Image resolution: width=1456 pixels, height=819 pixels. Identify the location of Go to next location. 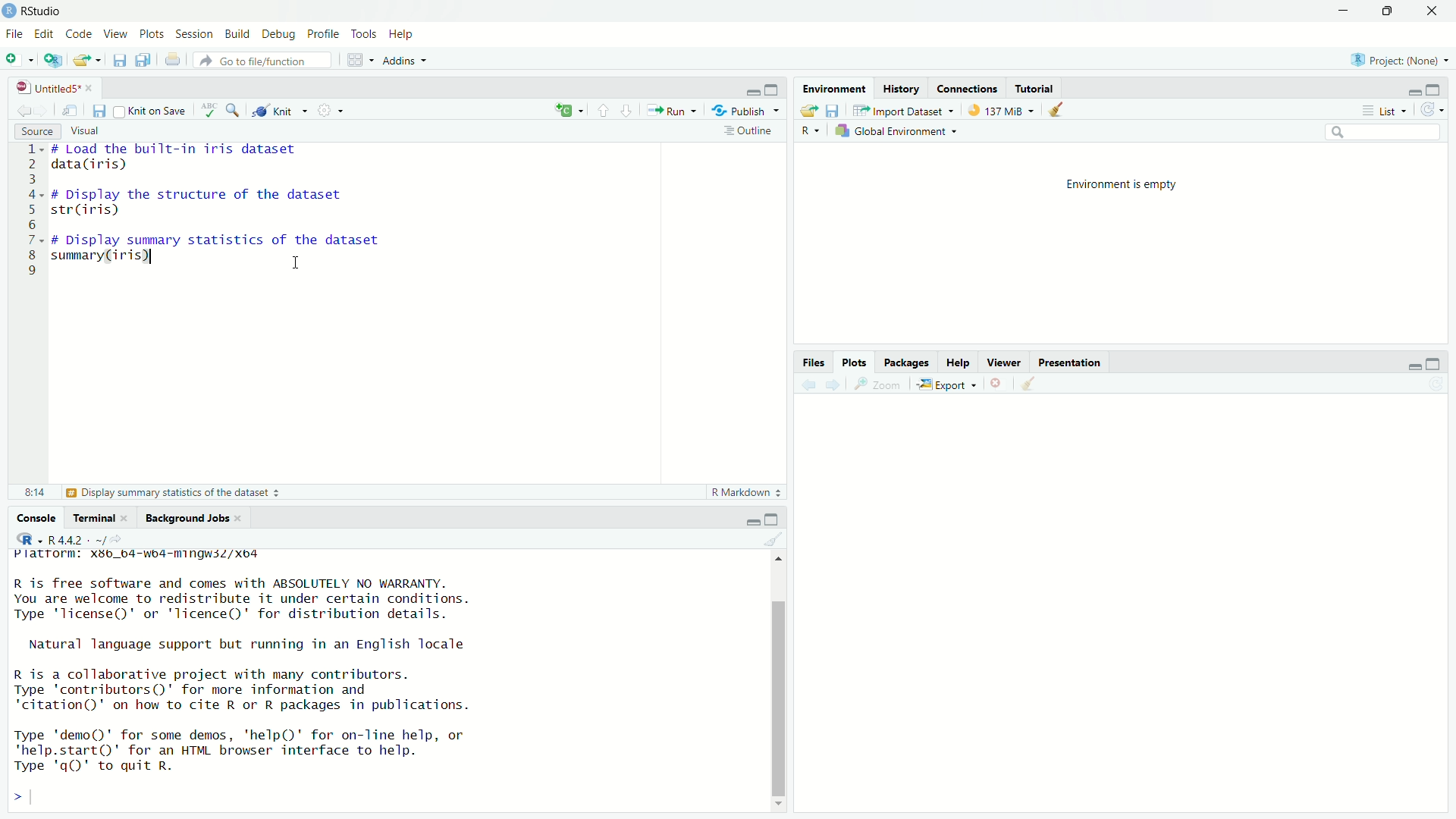
(43, 110).